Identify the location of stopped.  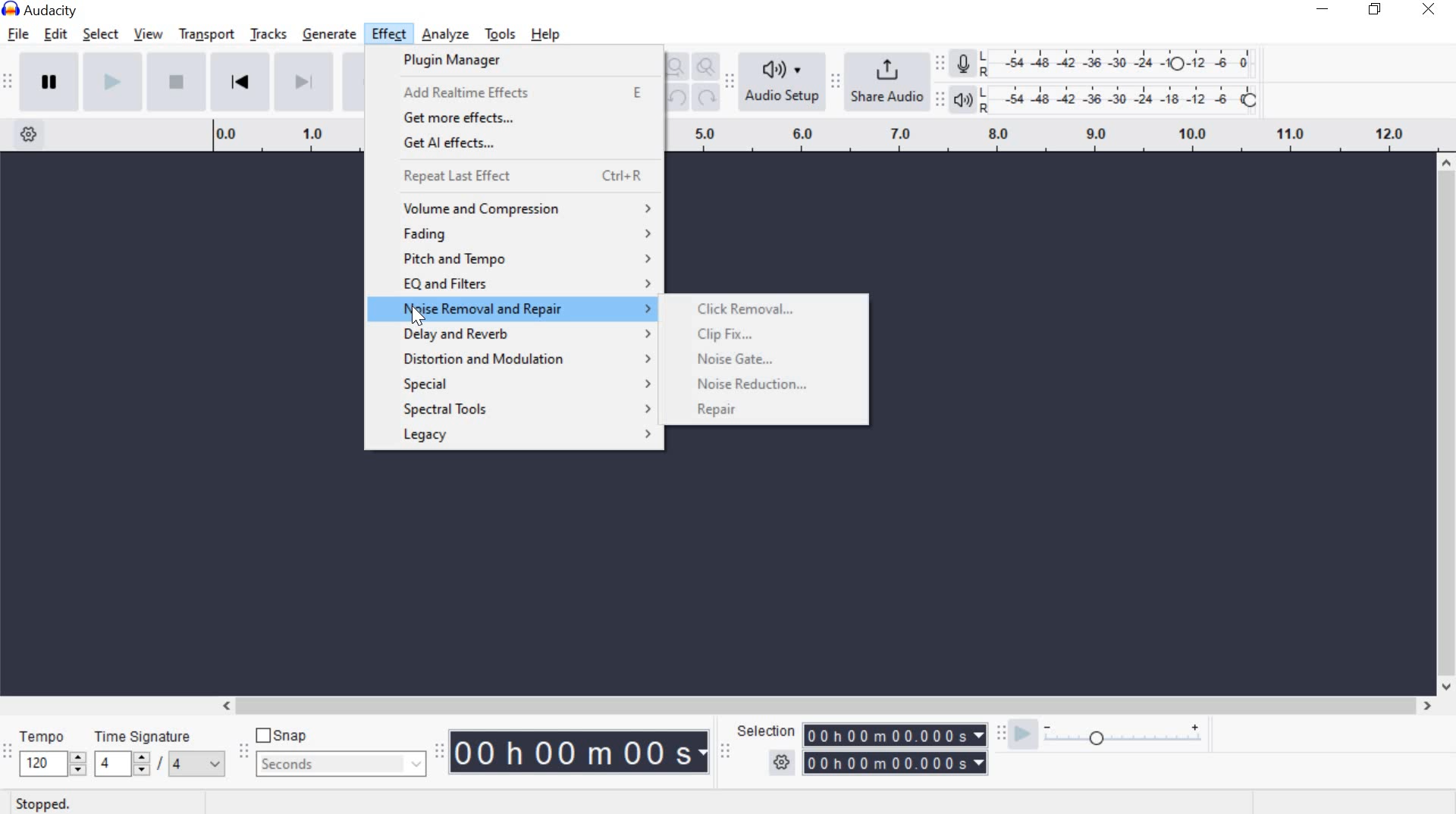
(46, 803).